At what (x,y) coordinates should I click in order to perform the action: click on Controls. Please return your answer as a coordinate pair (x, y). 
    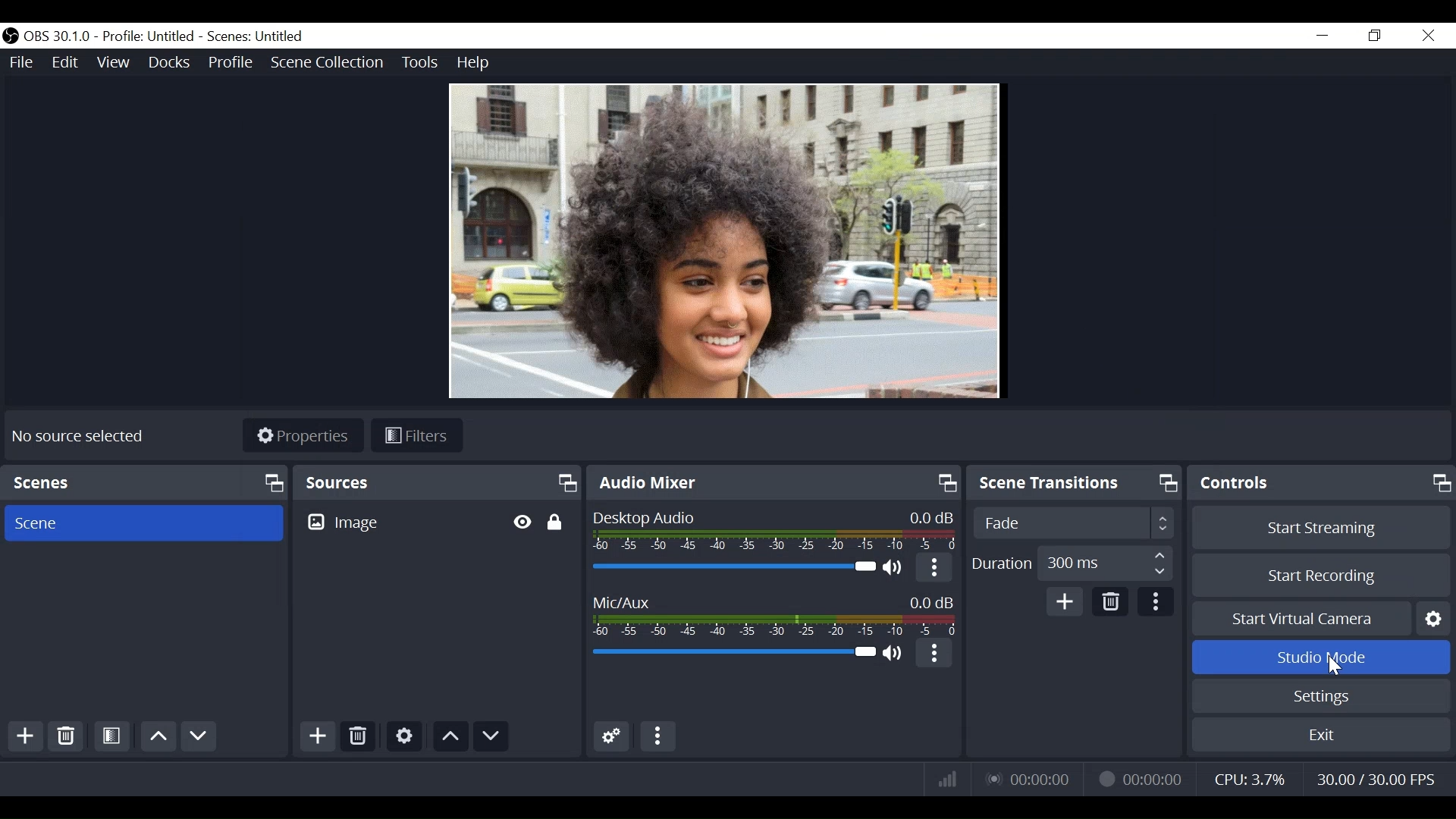
    Looking at the image, I should click on (1321, 484).